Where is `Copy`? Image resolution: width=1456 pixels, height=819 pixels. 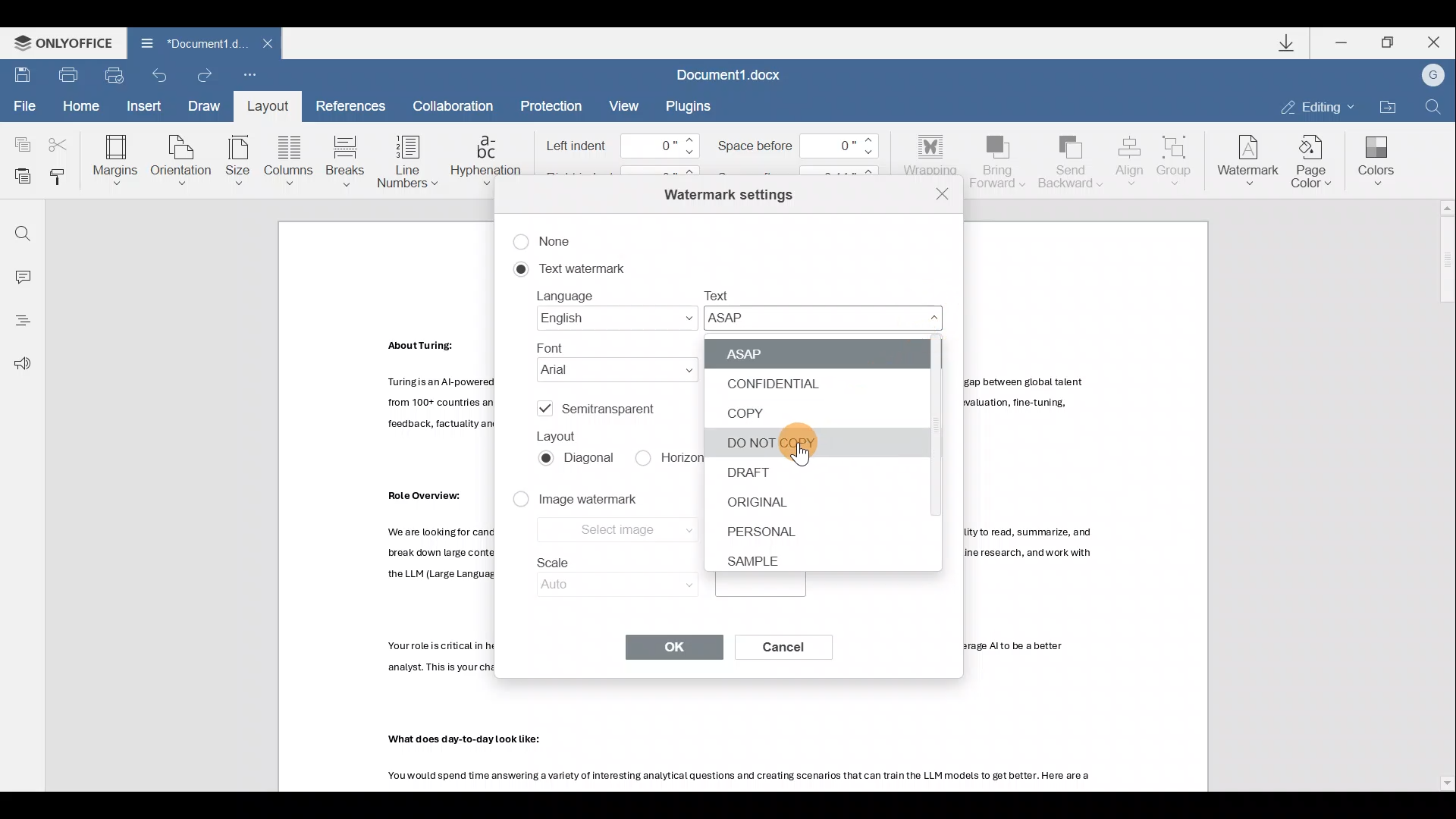 Copy is located at coordinates (19, 142).